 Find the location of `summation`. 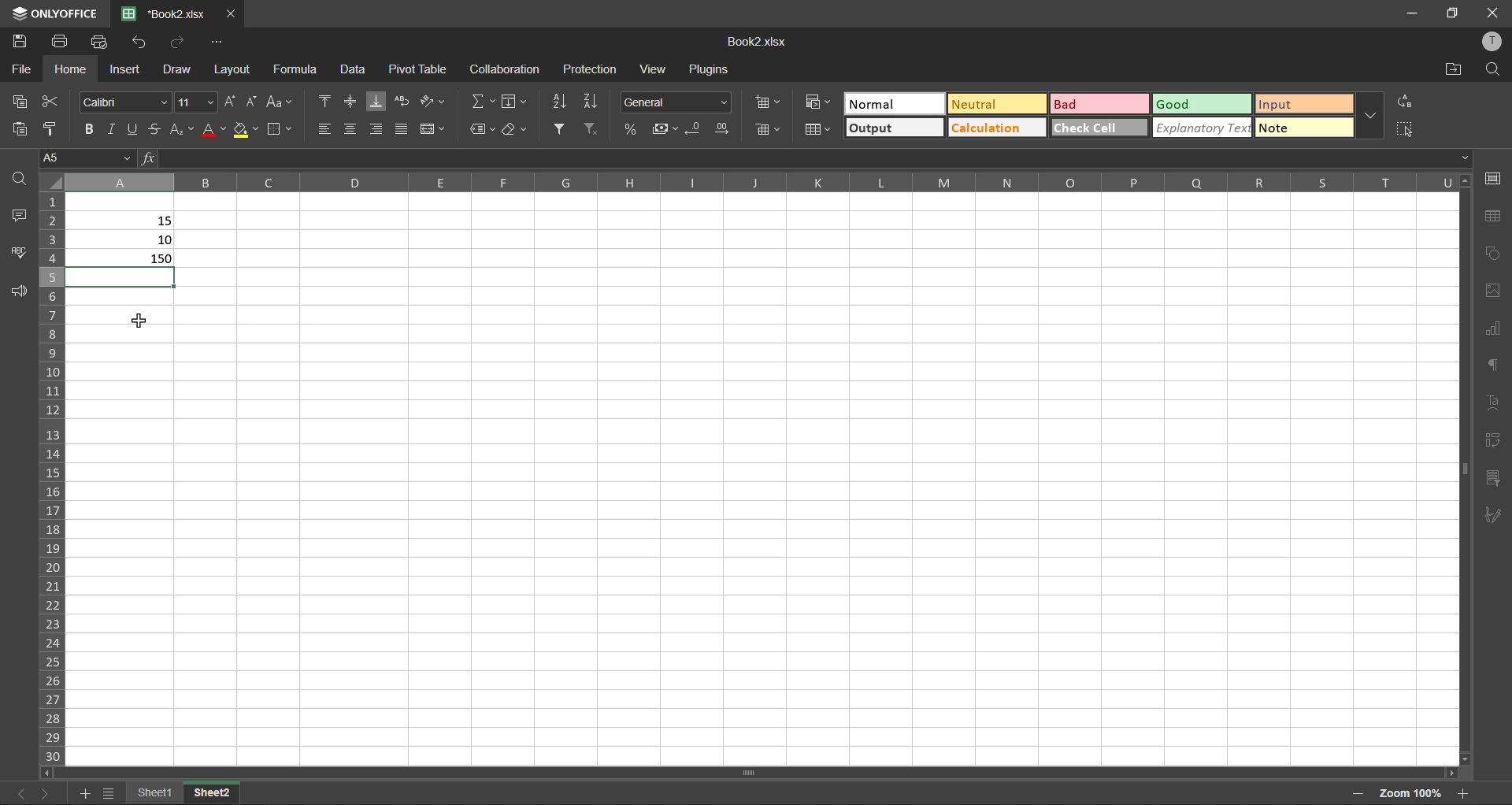

summation is located at coordinates (484, 101).